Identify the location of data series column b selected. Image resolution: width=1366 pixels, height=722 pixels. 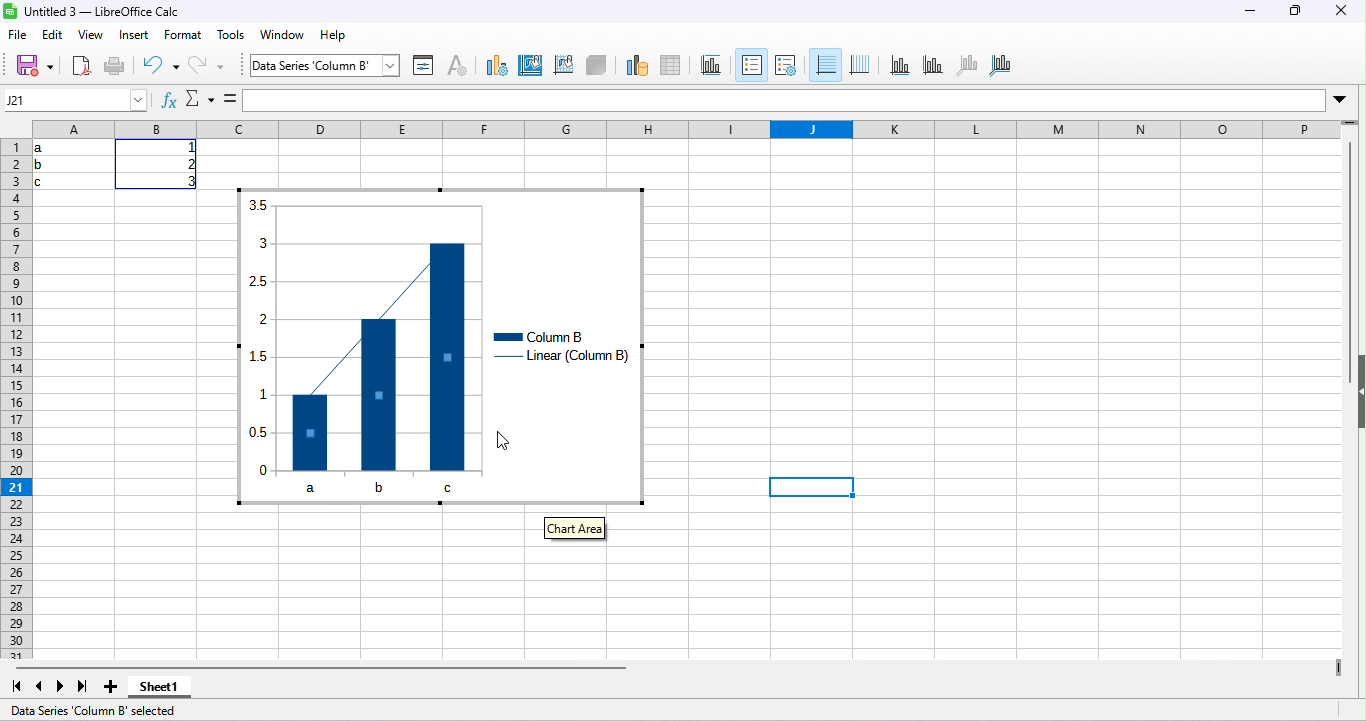
(96, 712).